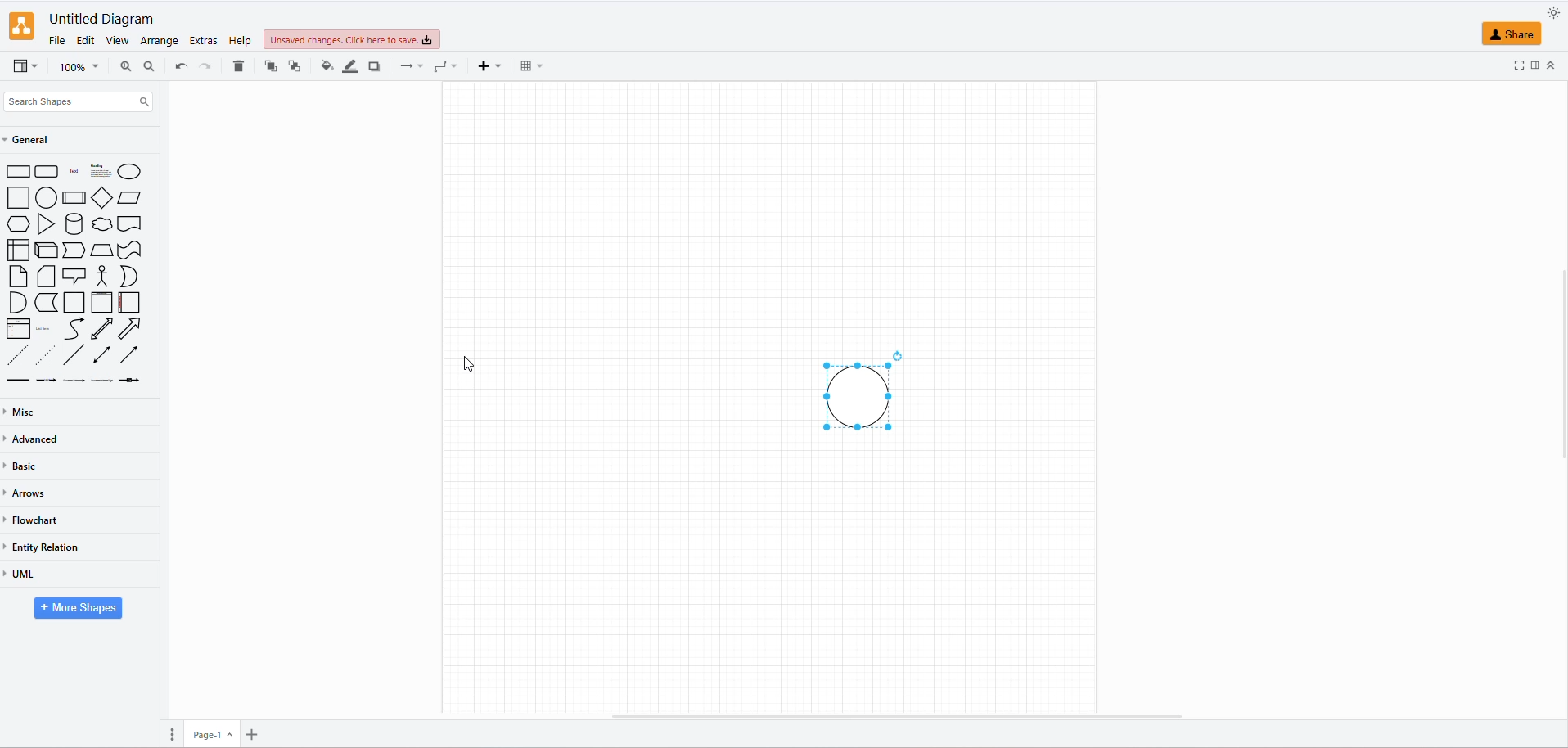 The width and height of the screenshot is (1568, 748). I want to click on FLOWCHART, so click(34, 519).